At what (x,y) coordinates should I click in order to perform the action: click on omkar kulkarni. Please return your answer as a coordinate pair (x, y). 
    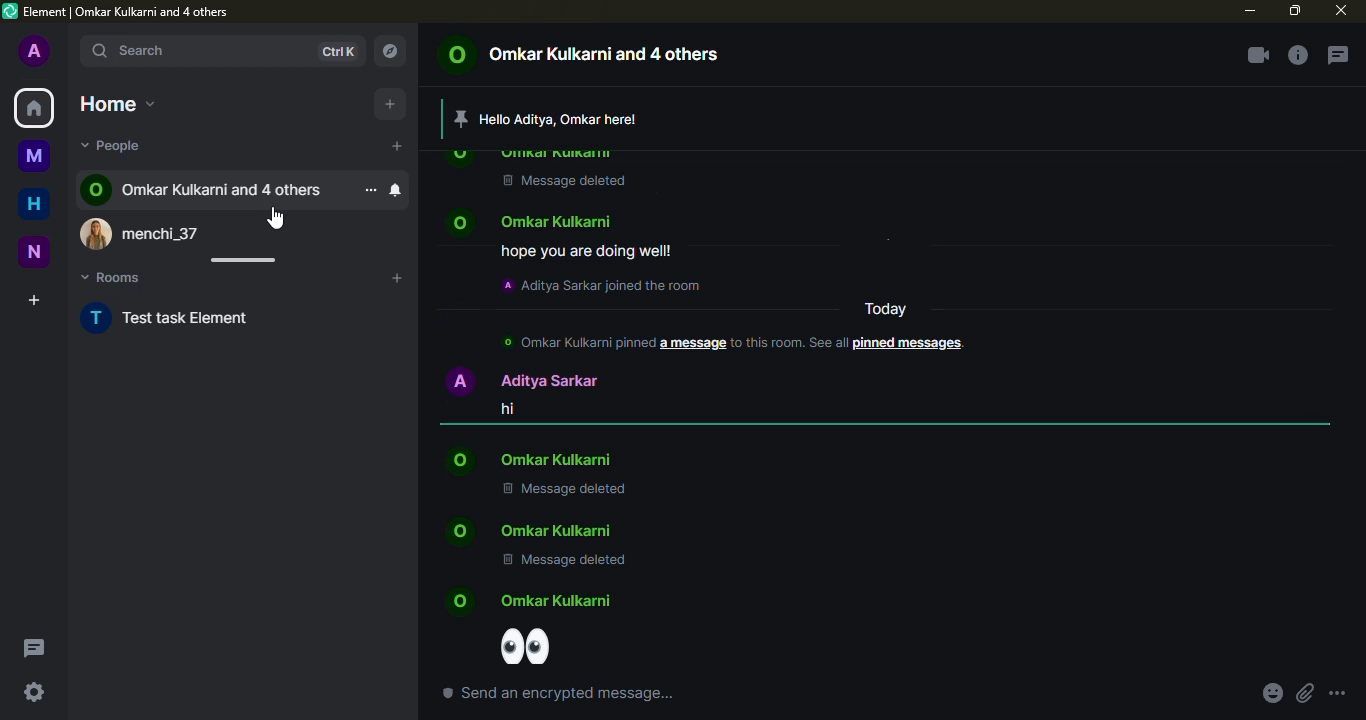
    Looking at the image, I should click on (531, 461).